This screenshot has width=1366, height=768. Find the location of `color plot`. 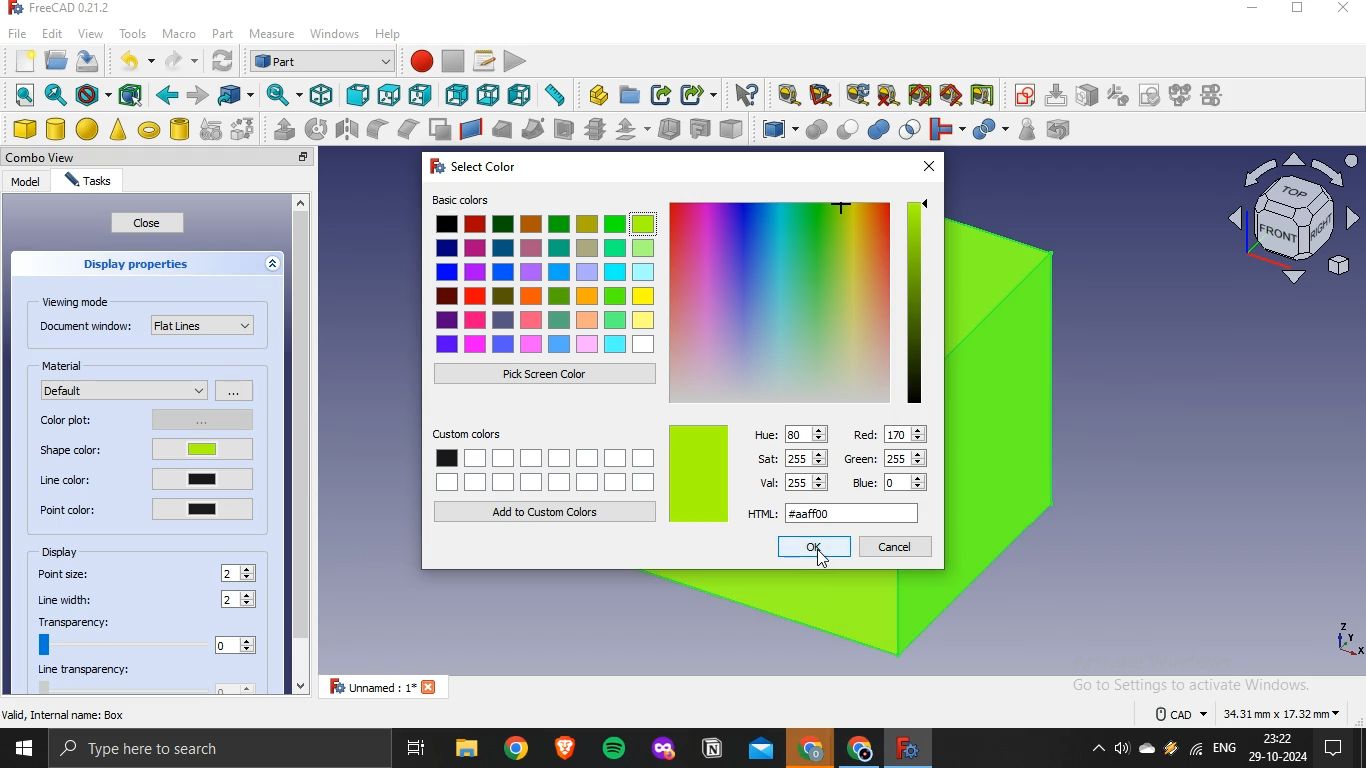

color plot is located at coordinates (143, 418).